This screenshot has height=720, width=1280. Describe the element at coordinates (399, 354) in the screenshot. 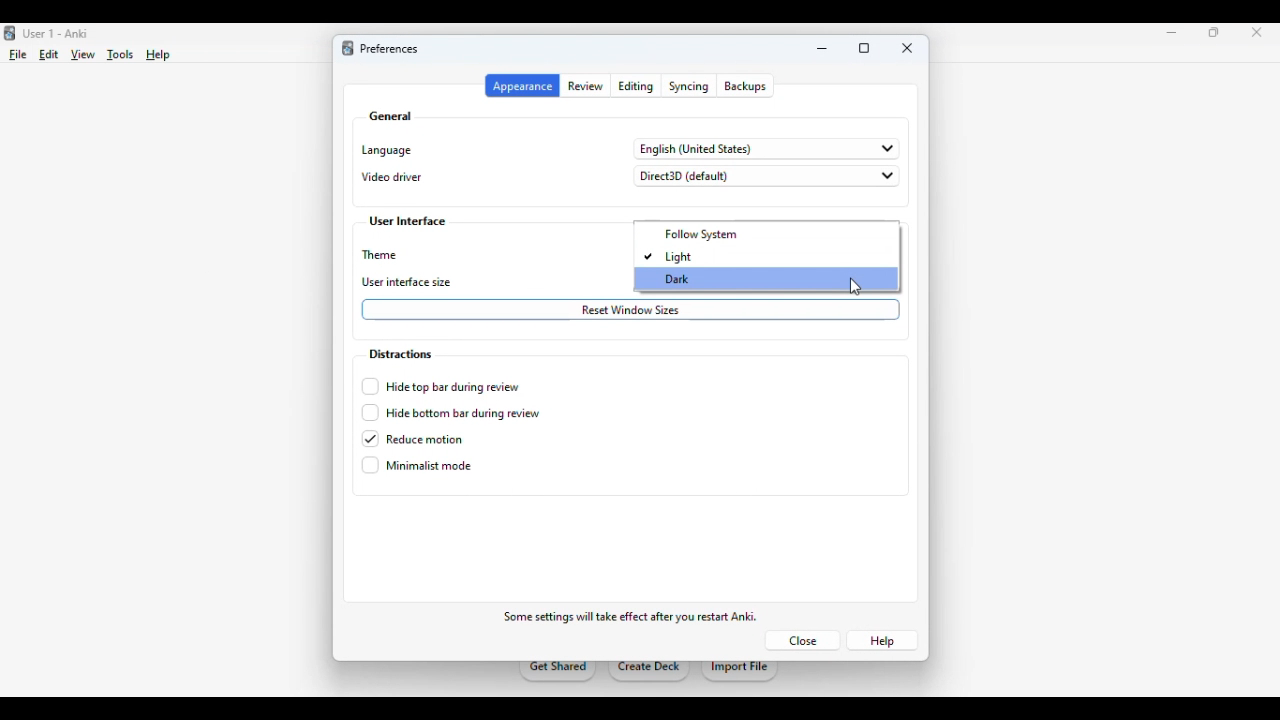

I see `distractions` at that location.